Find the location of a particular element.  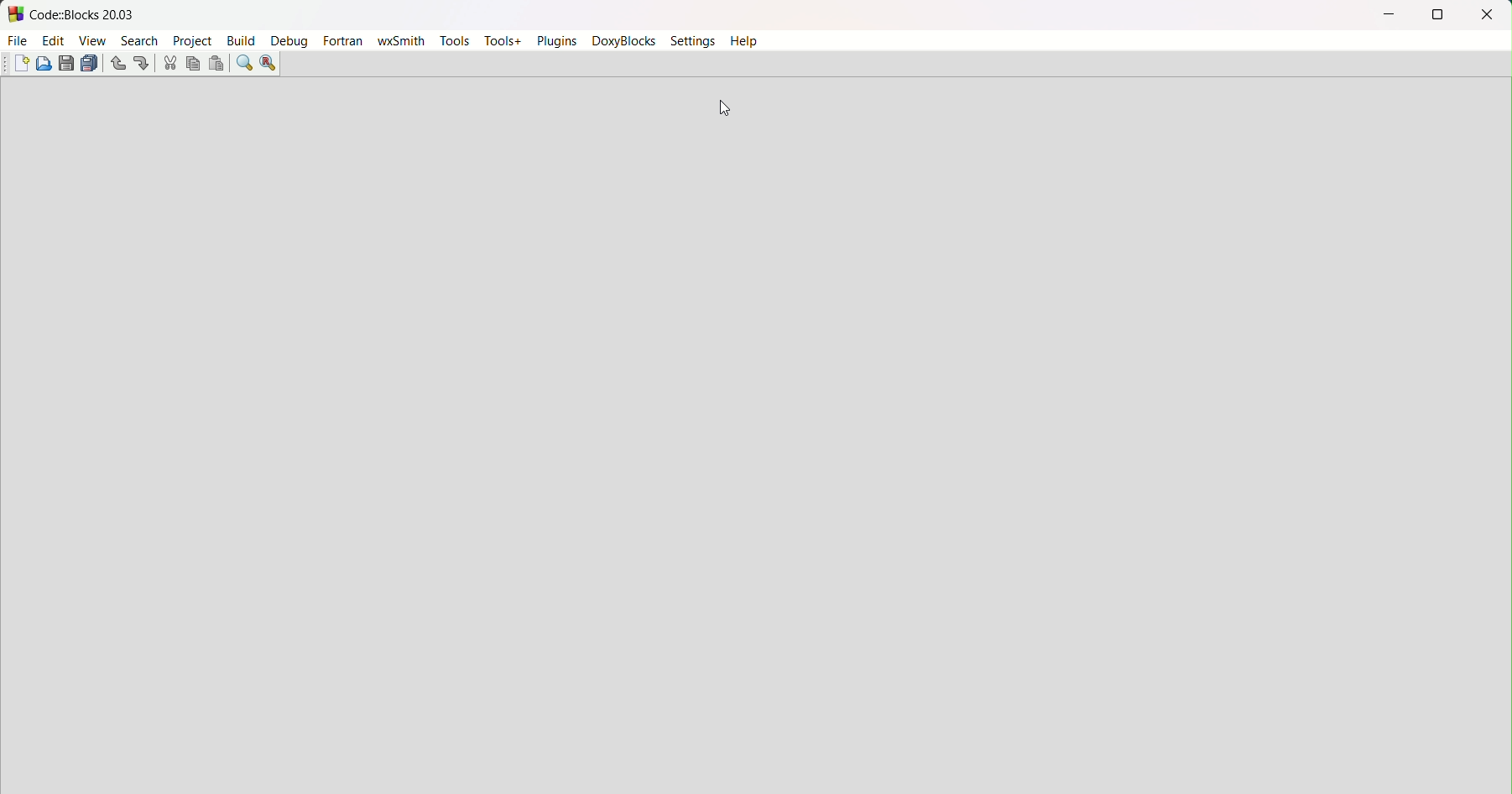

plugins is located at coordinates (553, 40).